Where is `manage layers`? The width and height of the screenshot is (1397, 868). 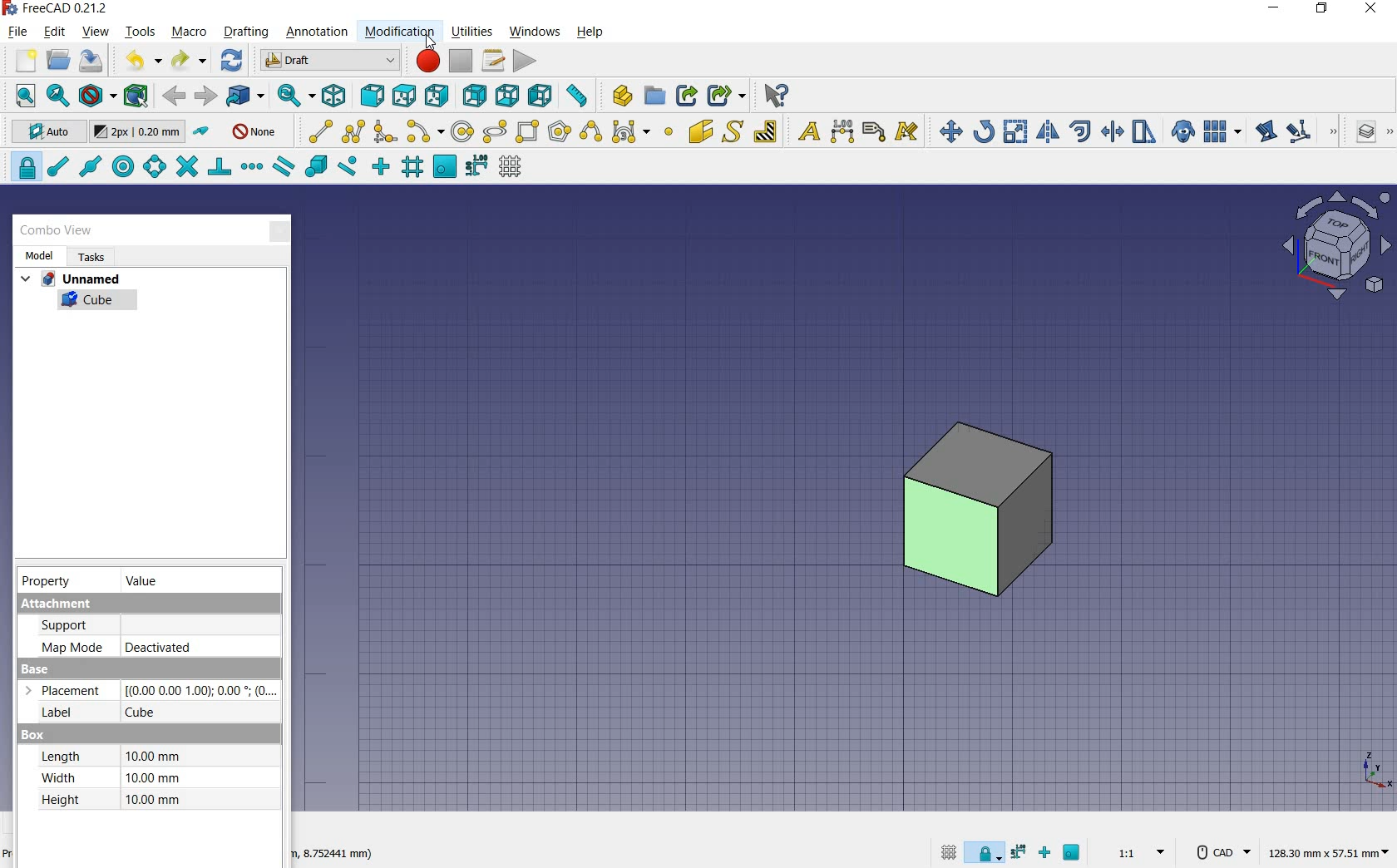
manage layers is located at coordinates (1367, 133).